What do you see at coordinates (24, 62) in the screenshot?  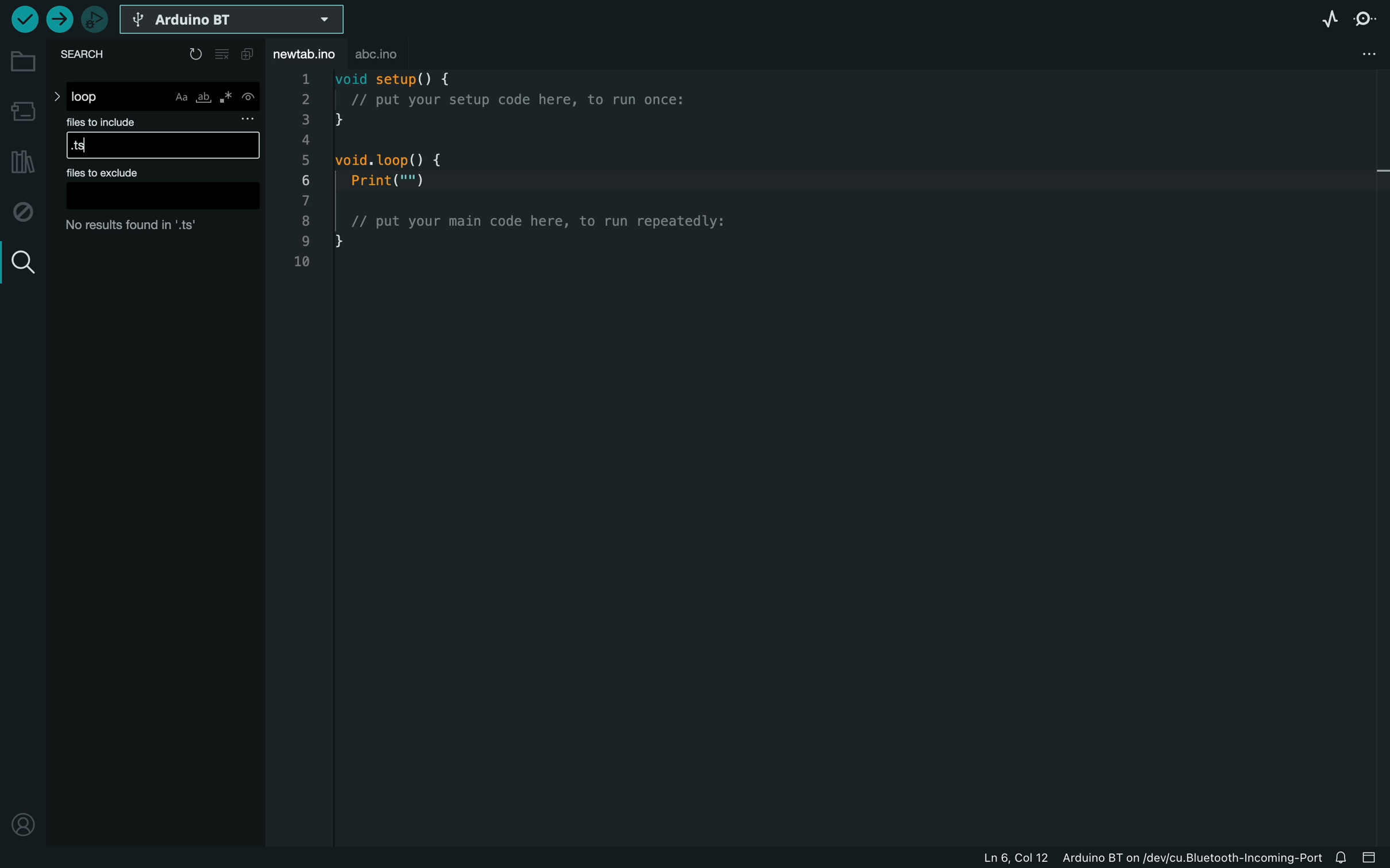 I see `folder` at bounding box center [24, 62].